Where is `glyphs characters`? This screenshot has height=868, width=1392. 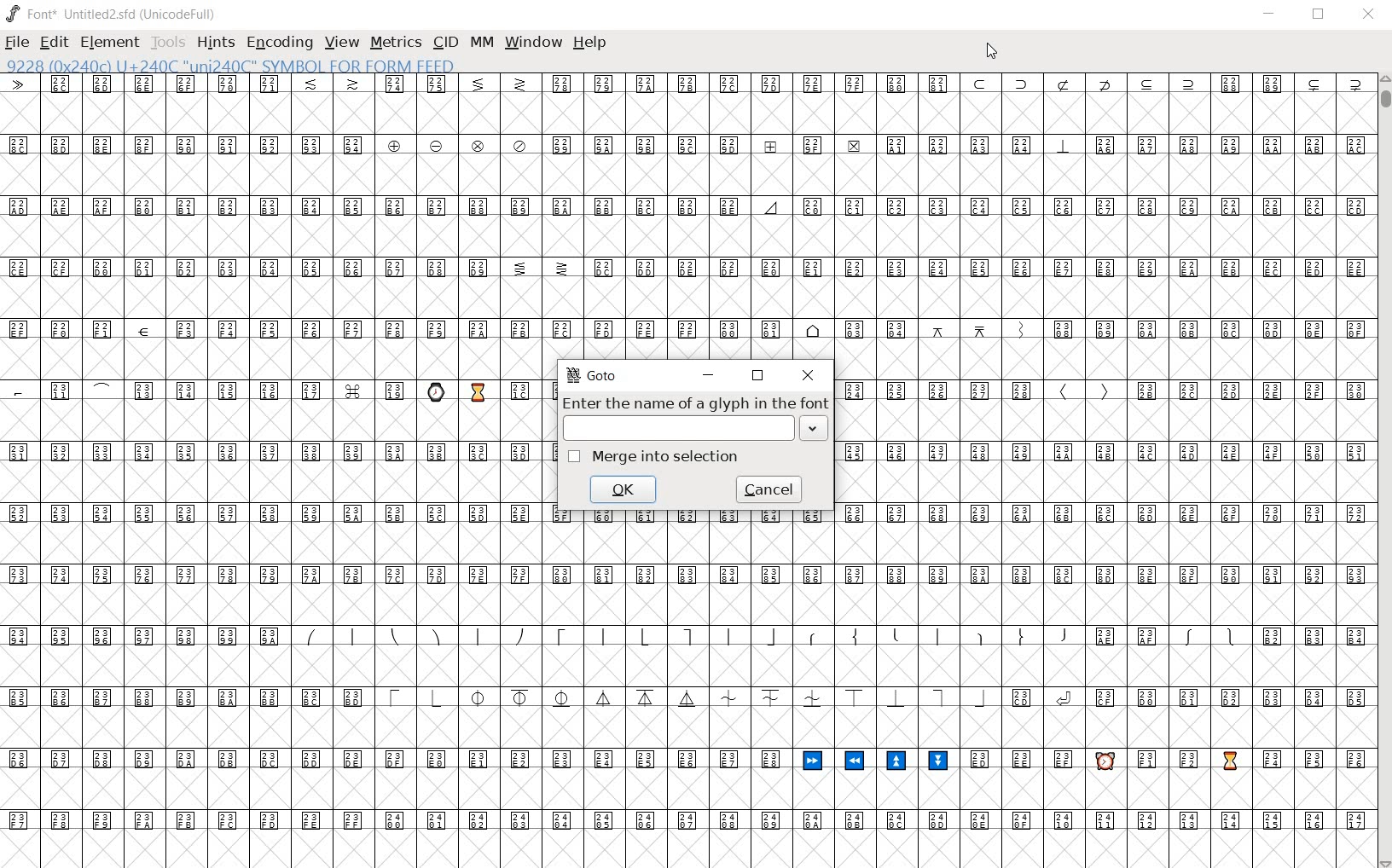
glyphs characters is located at coordinates (960, 715).